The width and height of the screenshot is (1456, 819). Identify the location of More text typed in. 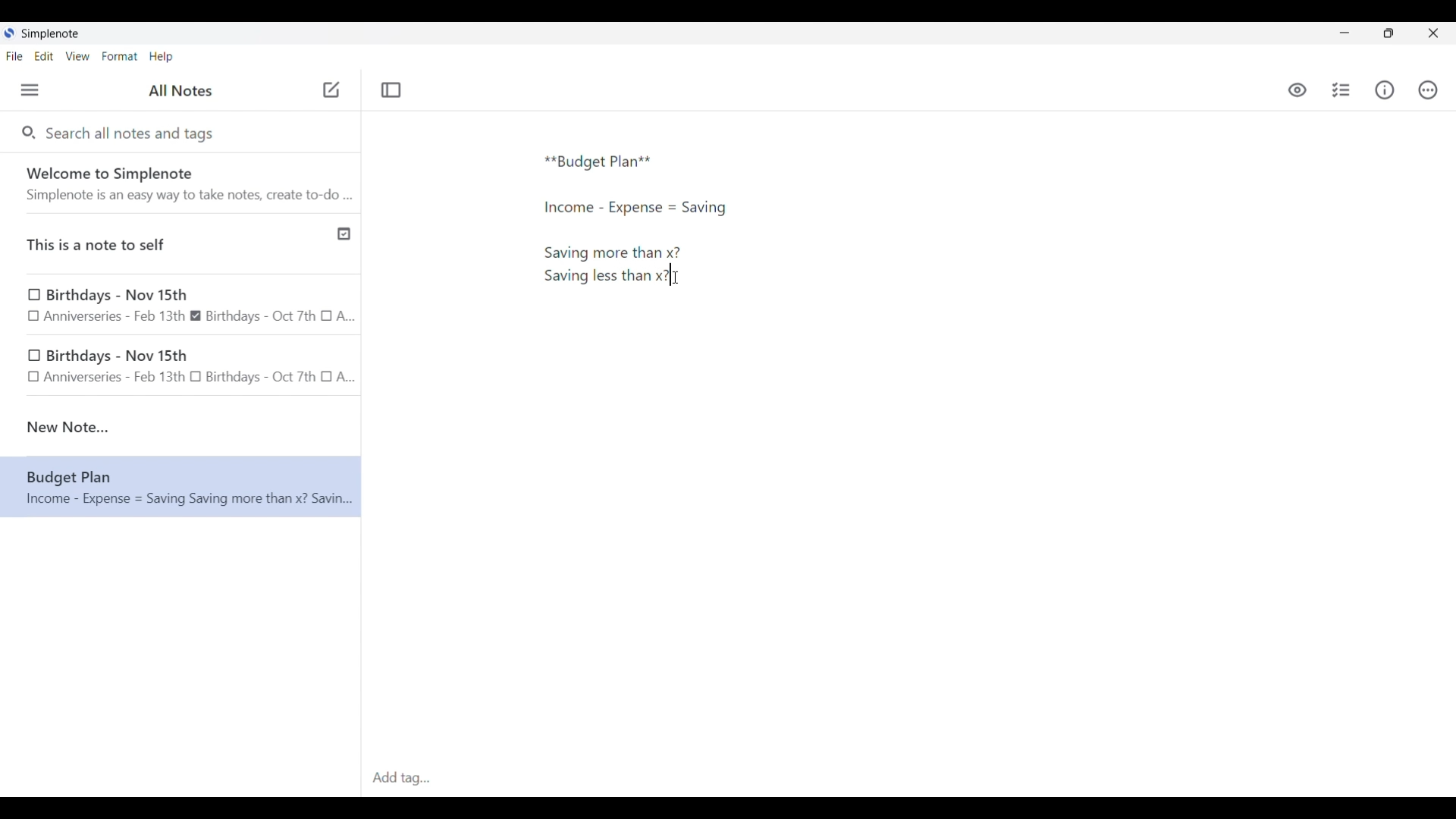
(611, 253).